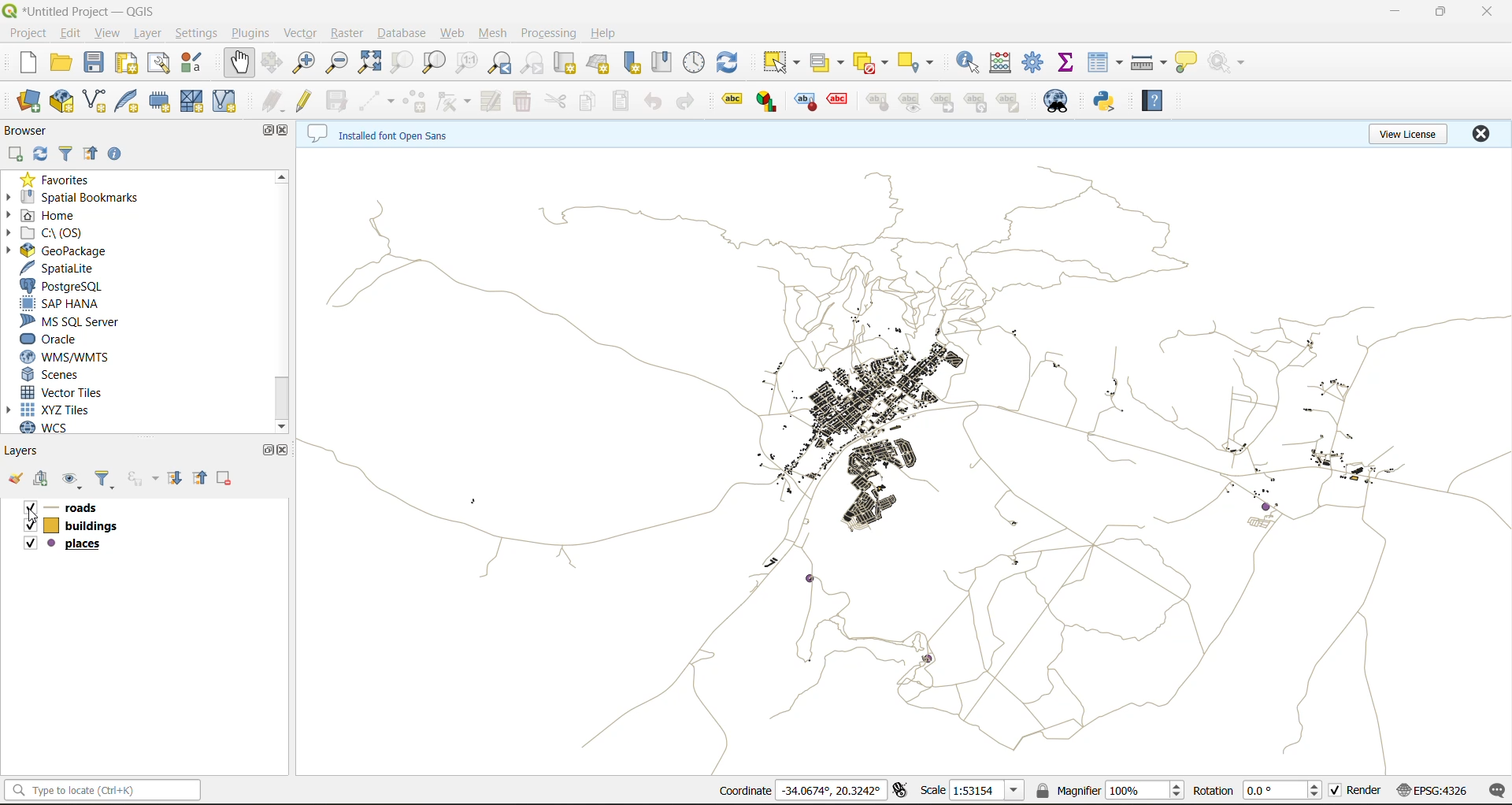 The width and height of the screenshot is (1512, 805). What do you see at coordinates (380, 135) in the screenshot?
I see `metadata` at bounding box center [380, 135].